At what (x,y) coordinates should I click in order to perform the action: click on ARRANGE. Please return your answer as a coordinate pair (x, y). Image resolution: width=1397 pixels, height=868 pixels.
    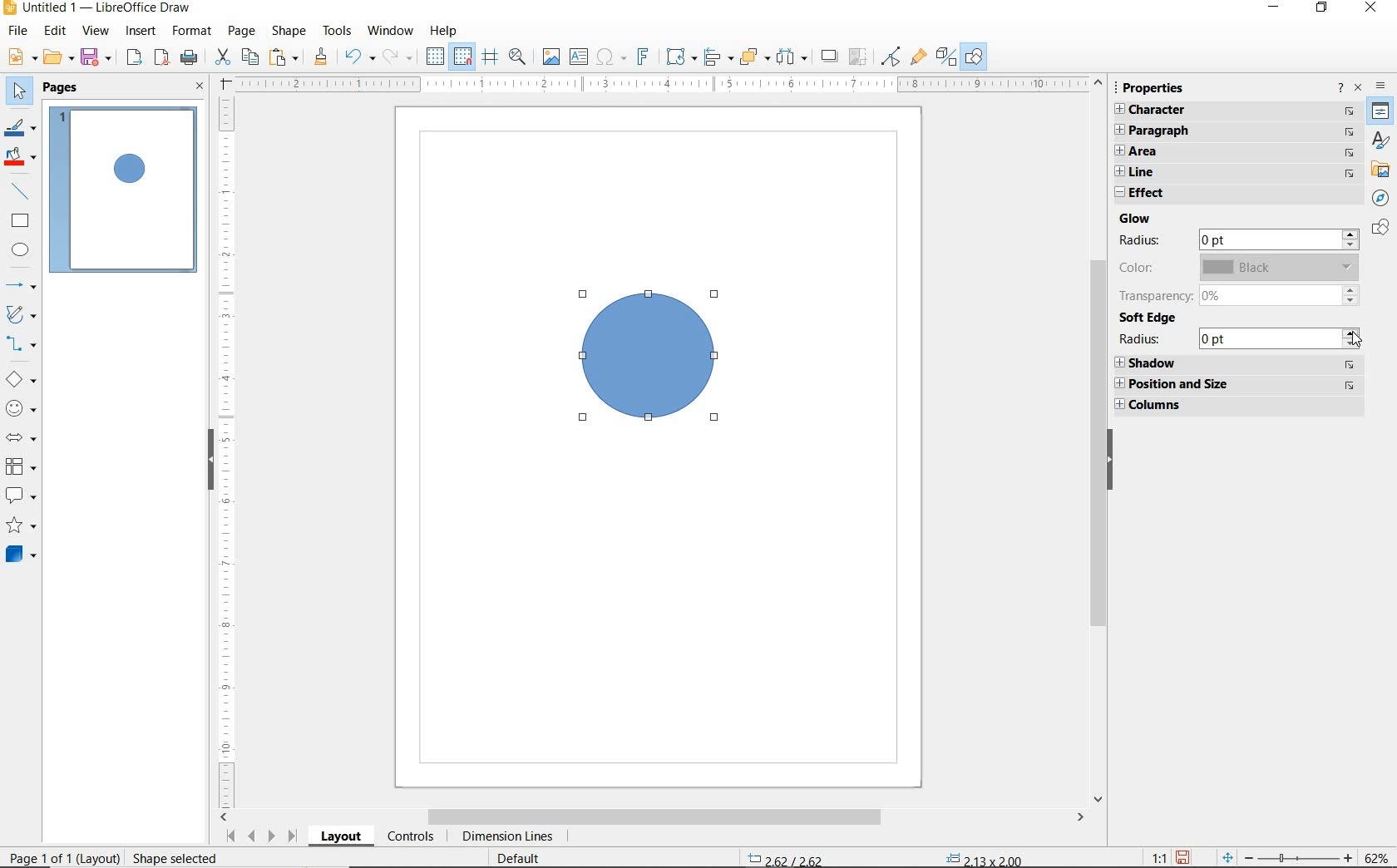
    Looking at the image, I should click on (754, 56).